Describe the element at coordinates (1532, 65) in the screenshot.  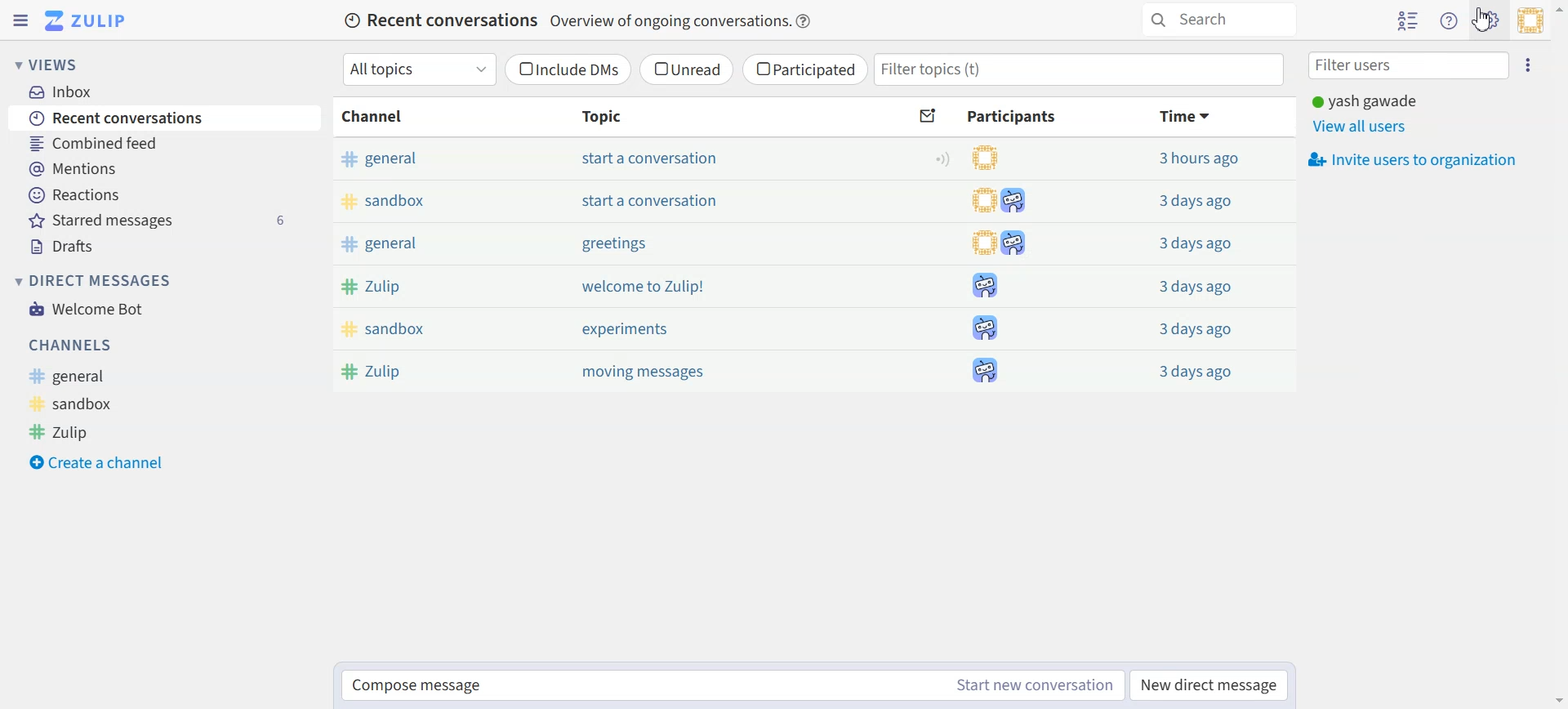
I see `Ellipsis` at that location.